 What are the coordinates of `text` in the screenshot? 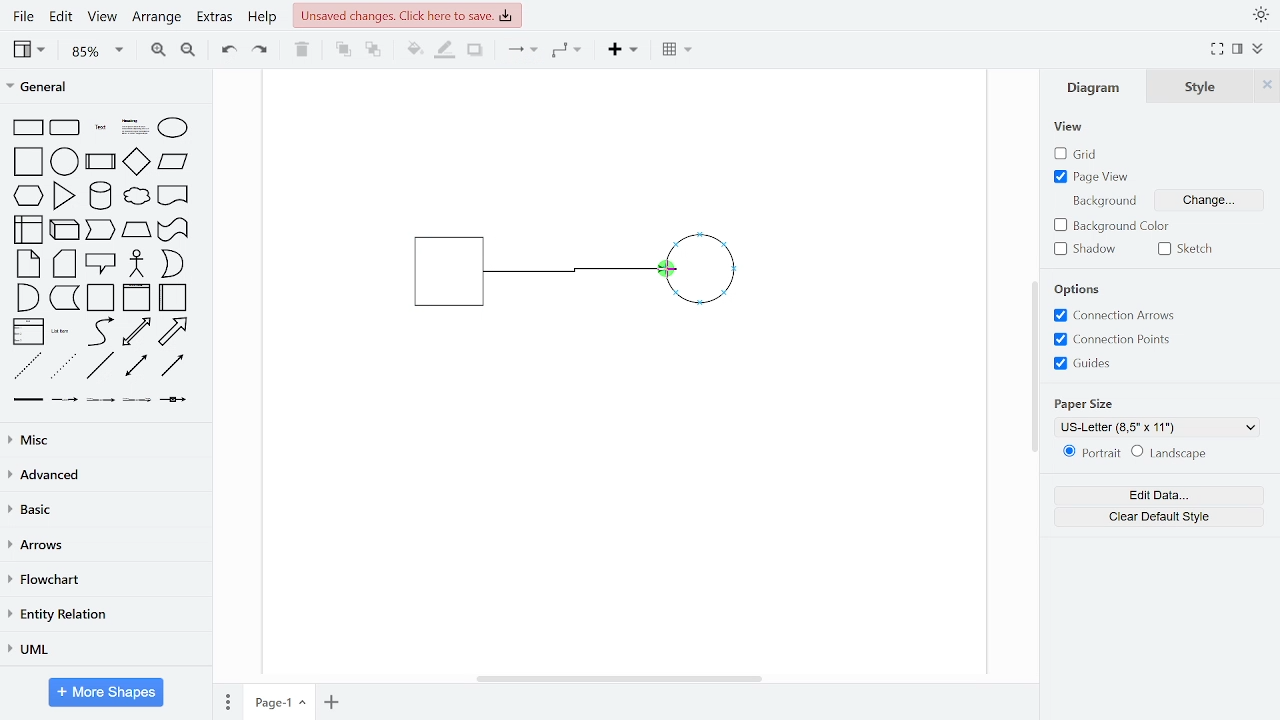 It's located at (102, 129).